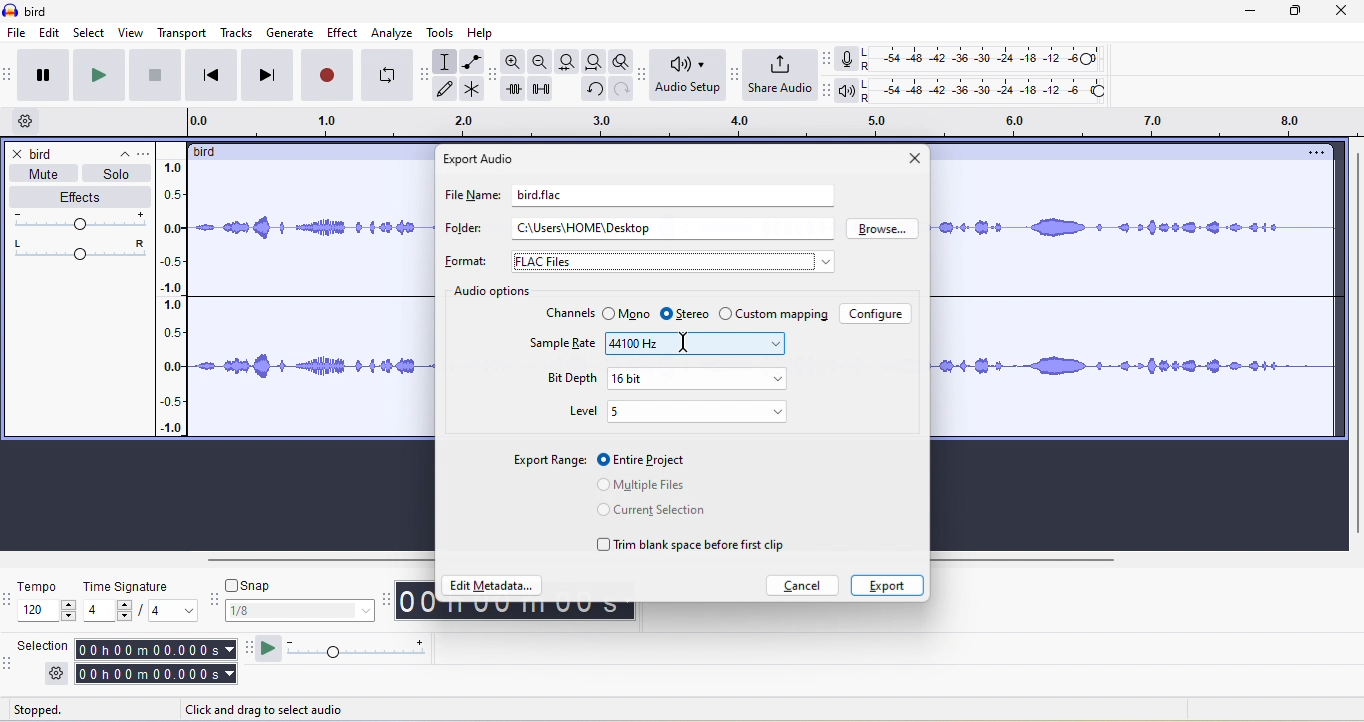  What do you see at coordinates (15, 33) in the screenshot?
I see `file` at bounding box center [15, 33].